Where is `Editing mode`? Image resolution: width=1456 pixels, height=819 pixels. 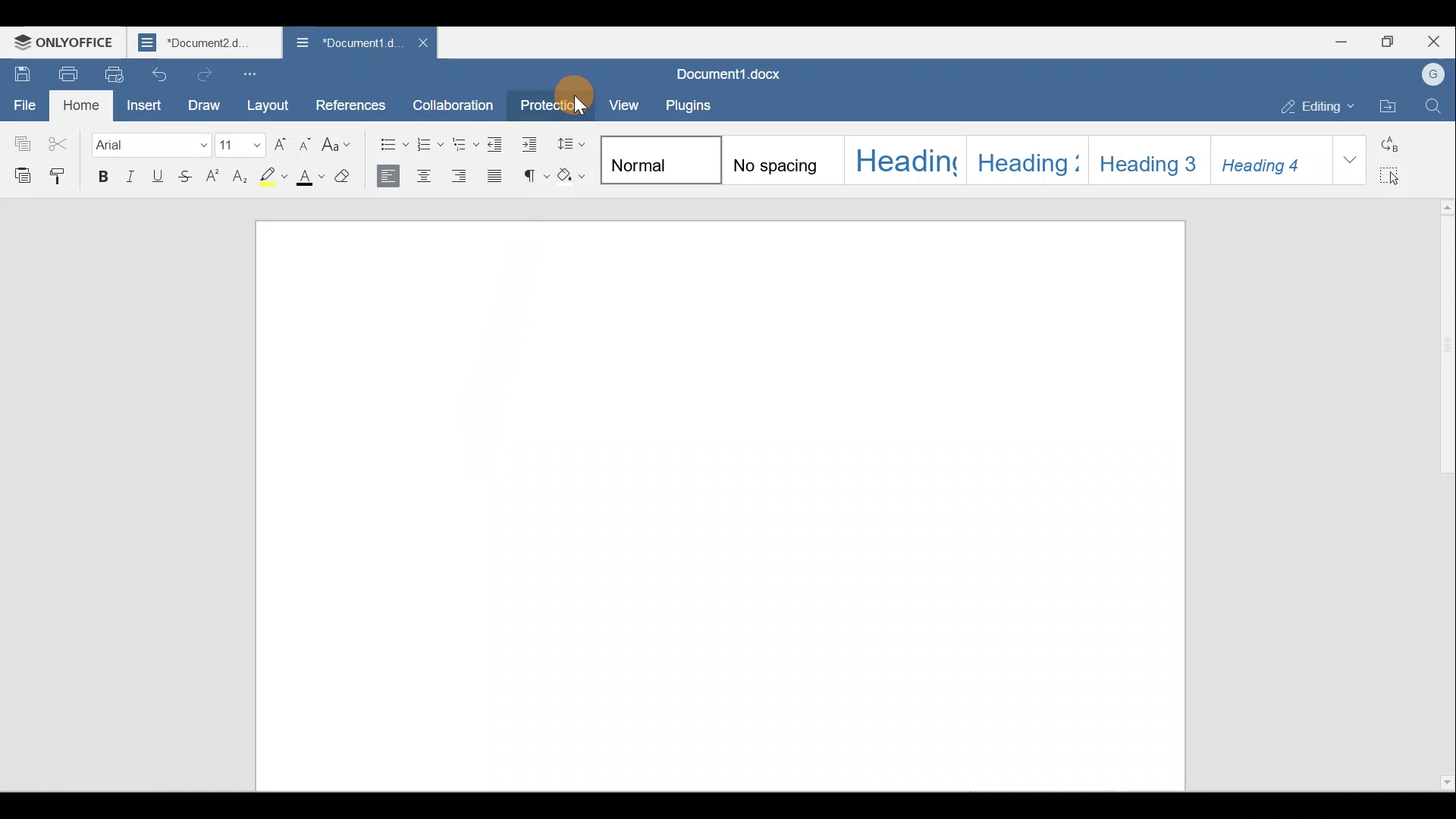 Editing mode is located at coordinates (1320, 106).